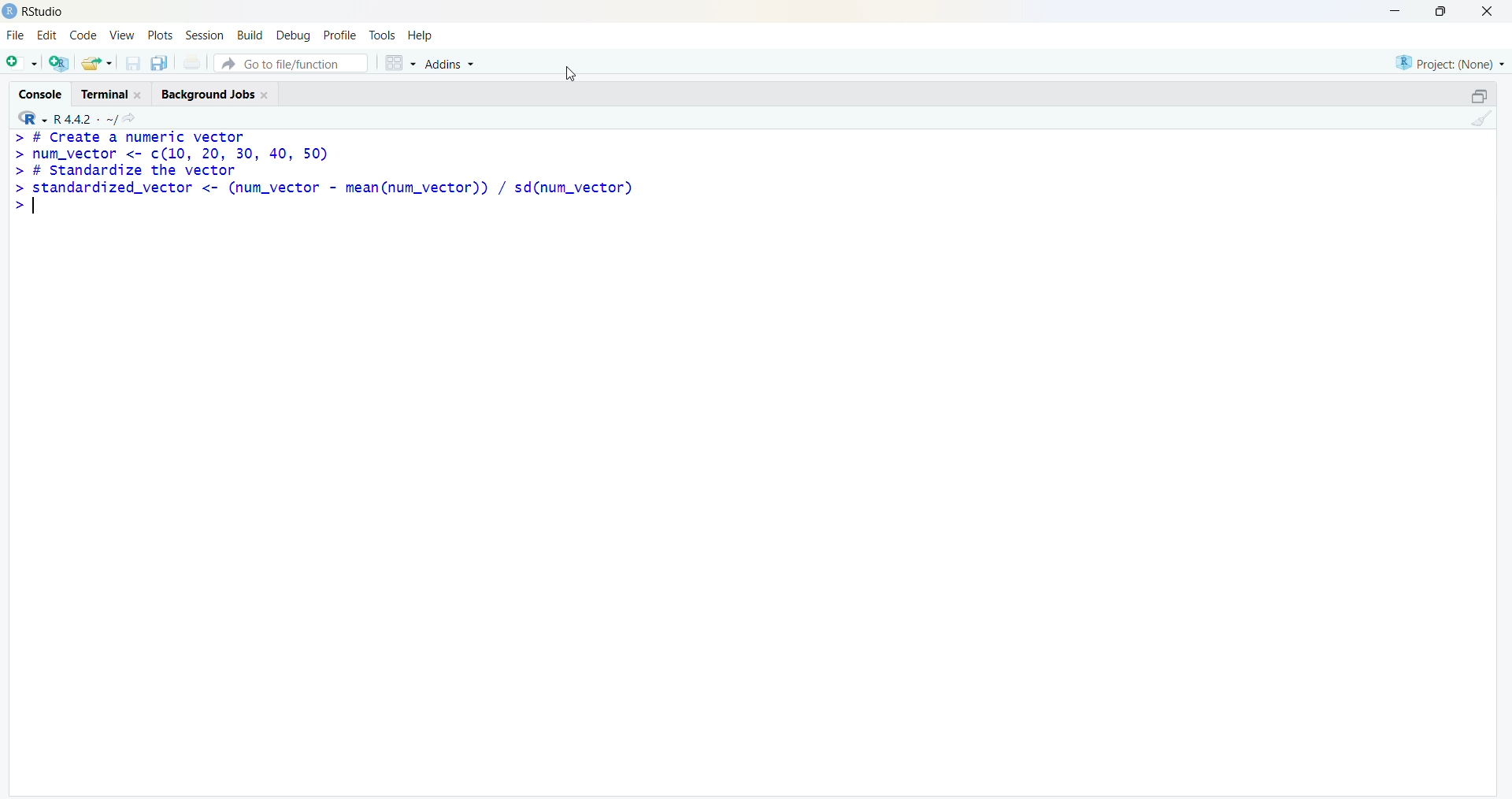 This screenshot has width=1512, height=799. I want to click on share folder as, so click(98, 63).